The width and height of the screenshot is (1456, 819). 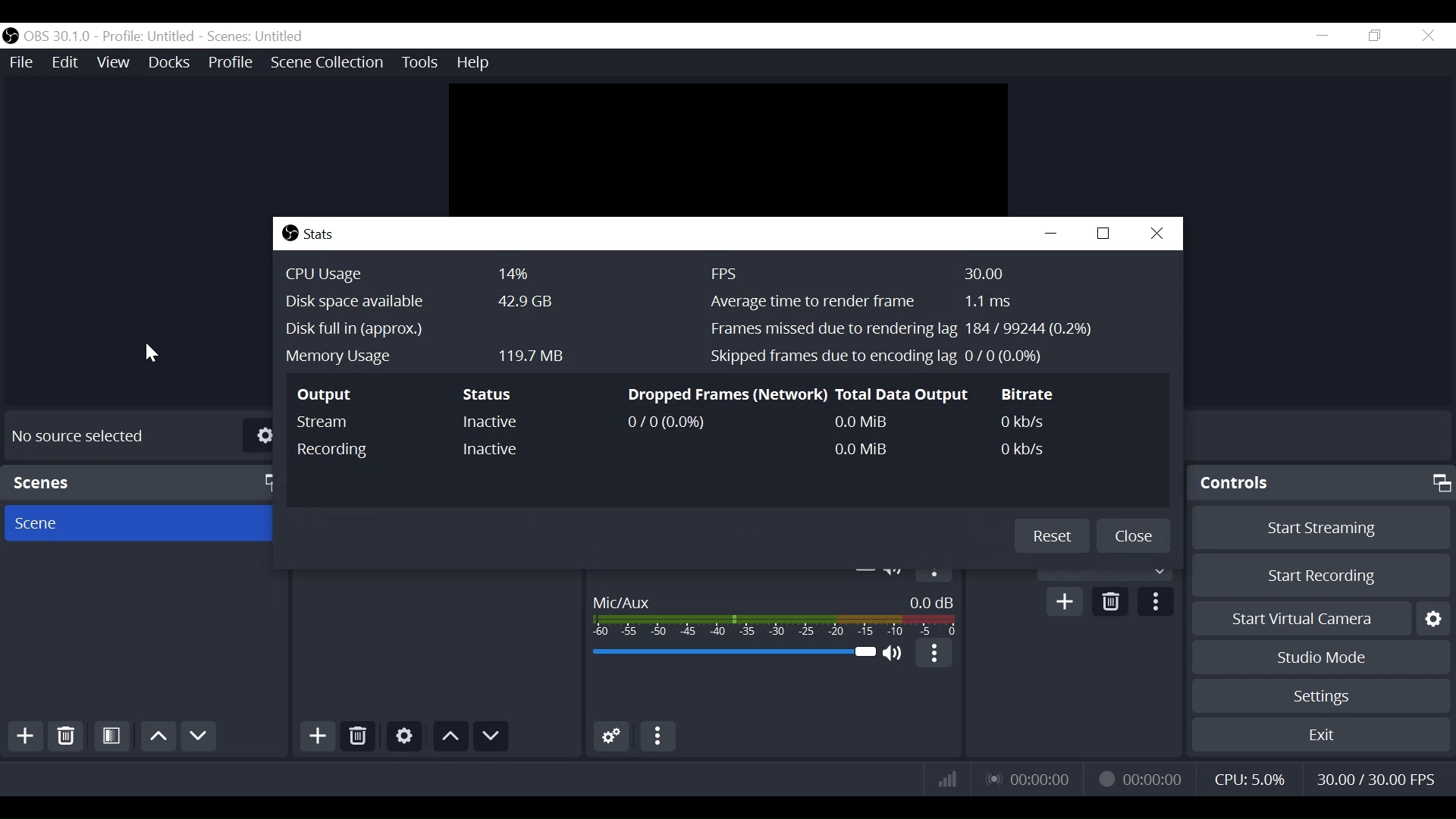 What do you see at coordinates (1029, 422) in the screenshot?
I see `0Kb/s` at bounding box center [1029, 422].